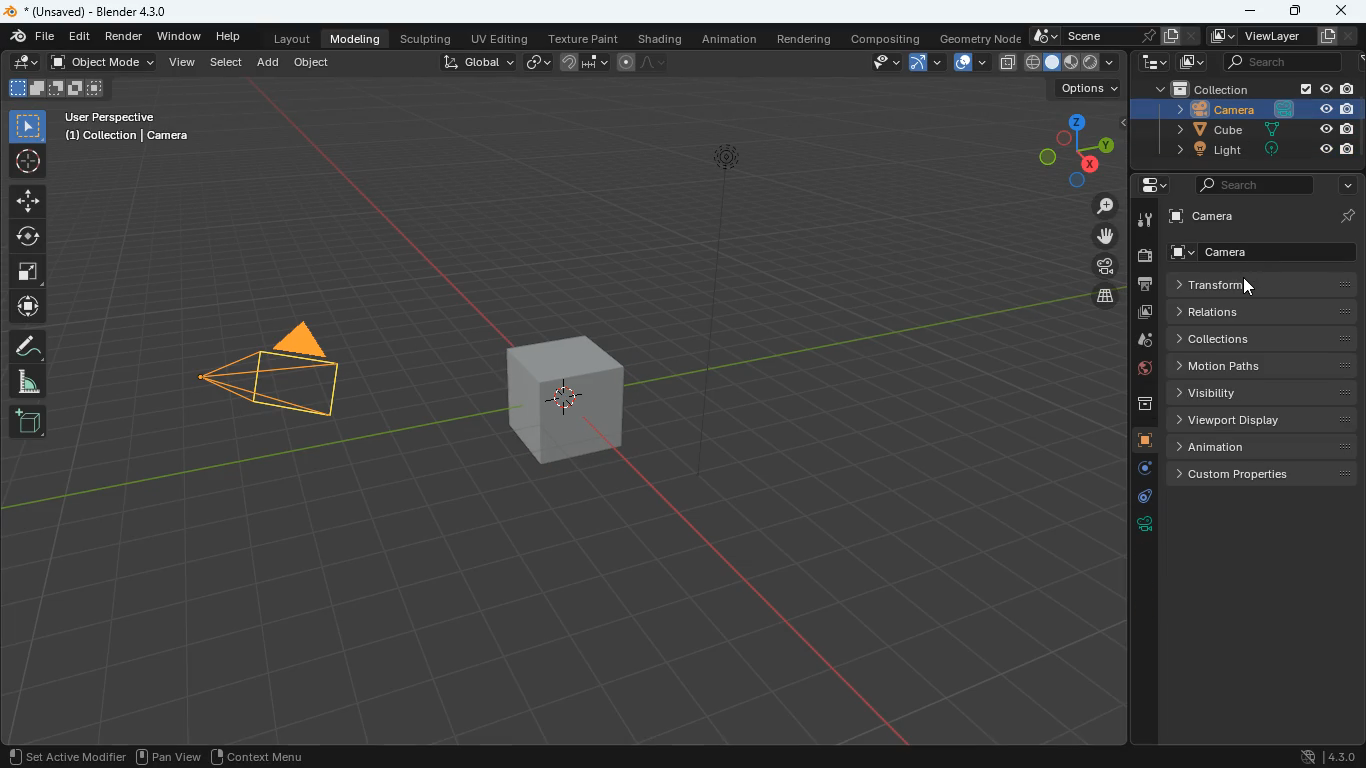  Describe the element at coordinates (34, 381) in the screenshot. I see `angle` at that location.